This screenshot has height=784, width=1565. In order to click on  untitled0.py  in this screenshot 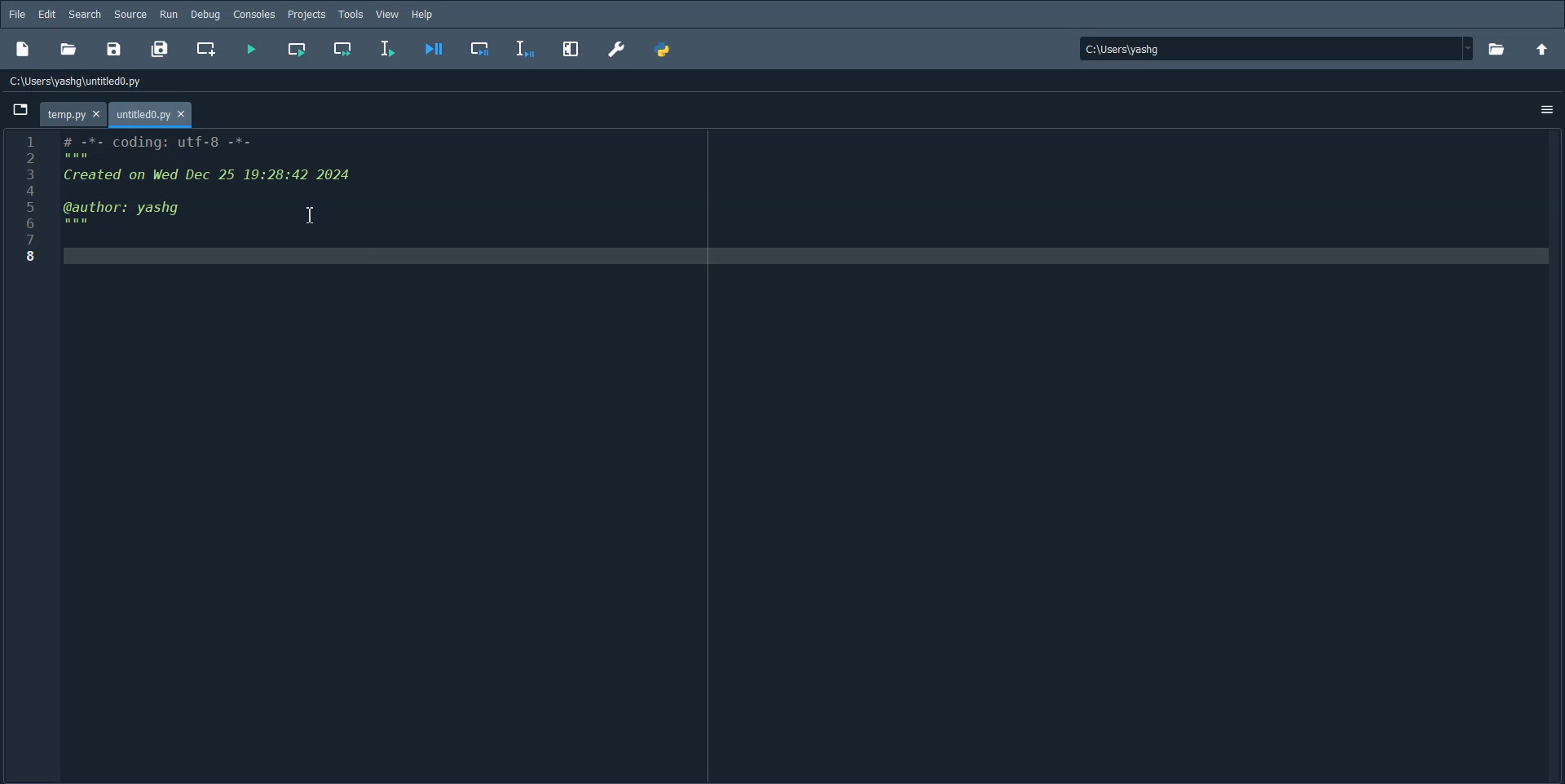, I will do `click(153, 115)`.